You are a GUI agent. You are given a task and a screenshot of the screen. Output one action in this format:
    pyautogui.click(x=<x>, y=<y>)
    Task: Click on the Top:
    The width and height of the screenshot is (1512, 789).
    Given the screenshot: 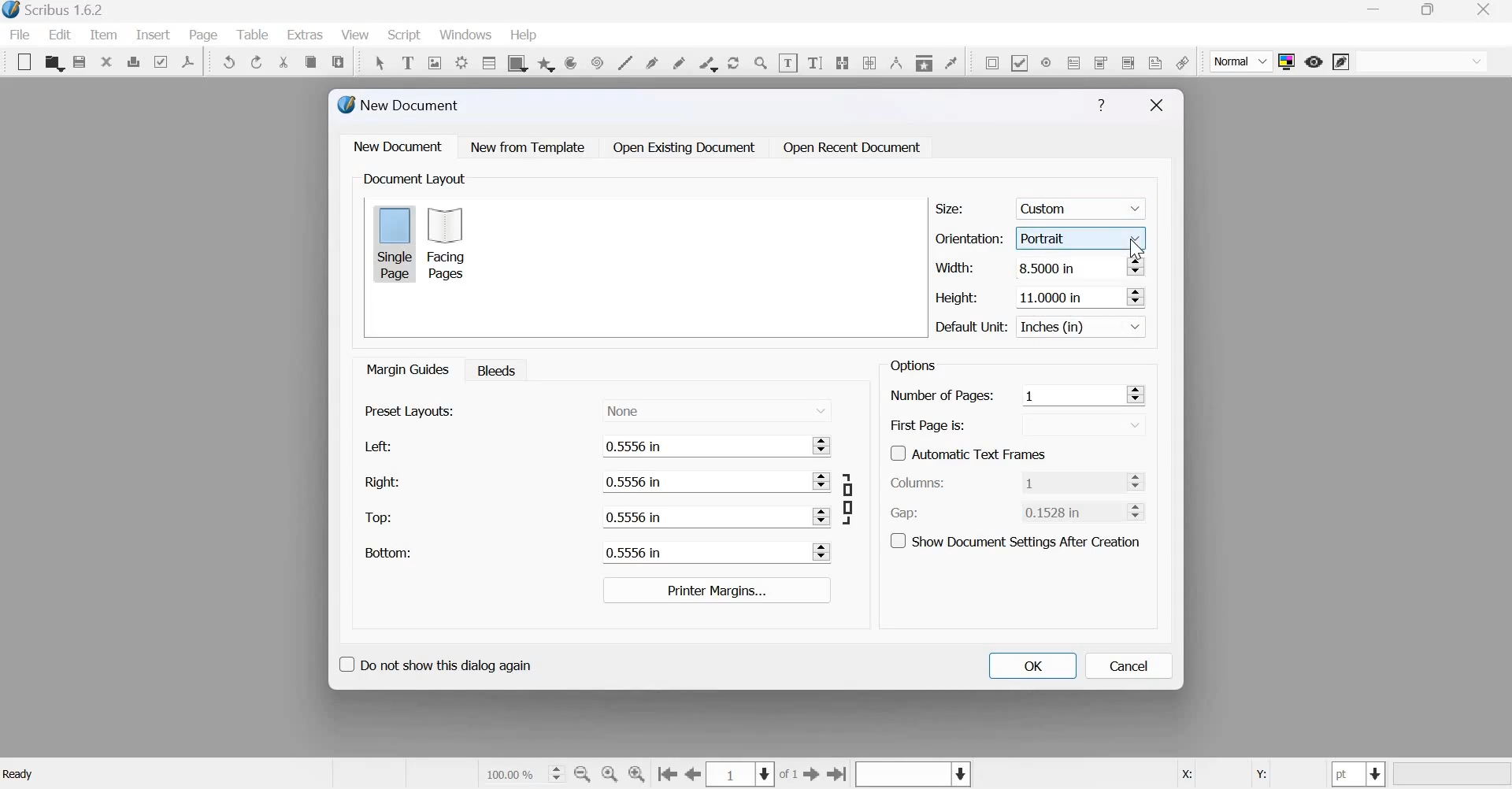 What is the action you would take?
    pyautogui.click(x=380, y=518)
    